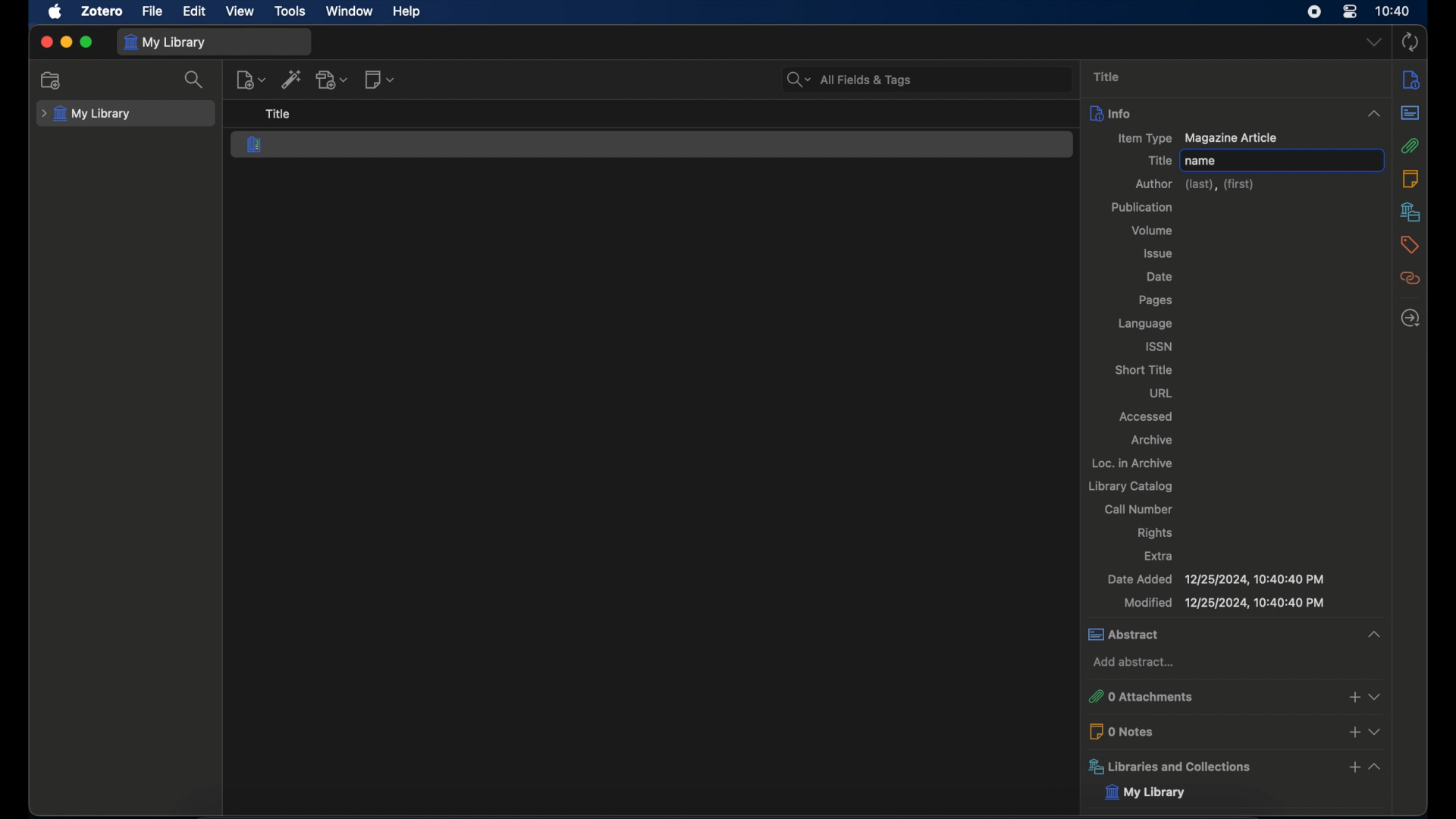 The image size is (1456, 819). Describe the element at coordinates (1131, 462) in the screenshot. I see `loc. in archive` at that location.